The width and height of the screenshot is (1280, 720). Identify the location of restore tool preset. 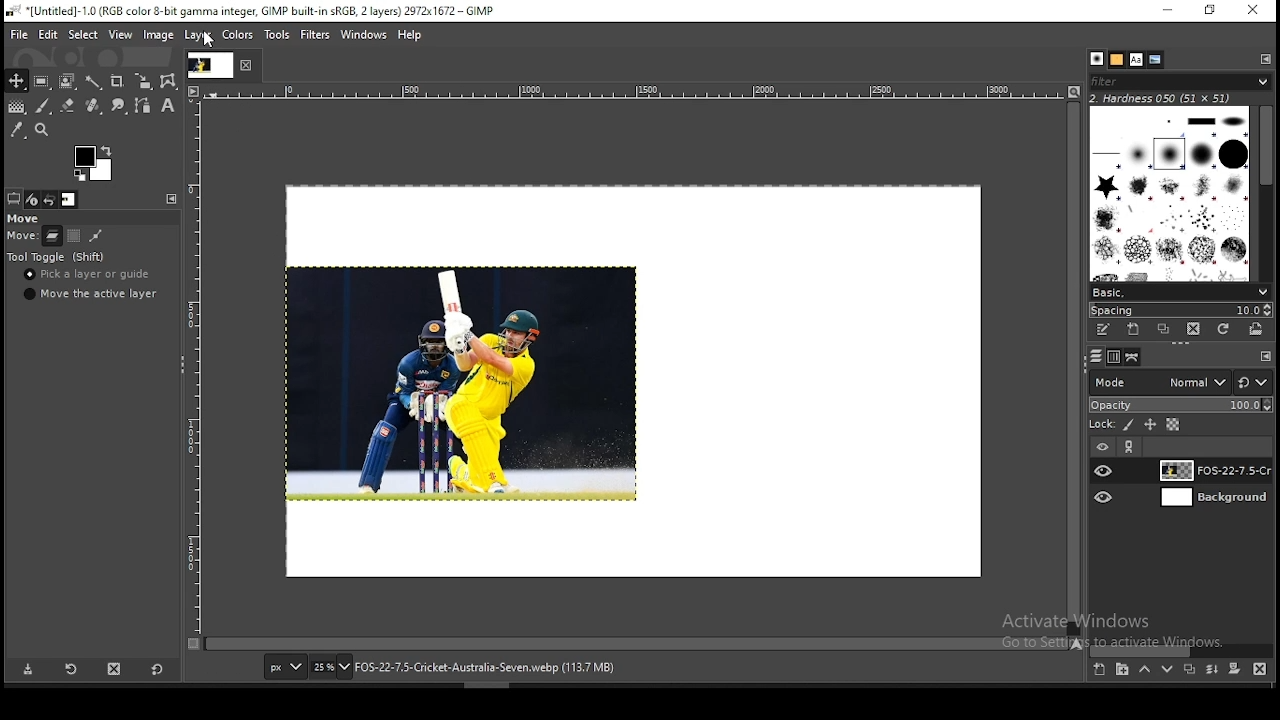
(70, 670).